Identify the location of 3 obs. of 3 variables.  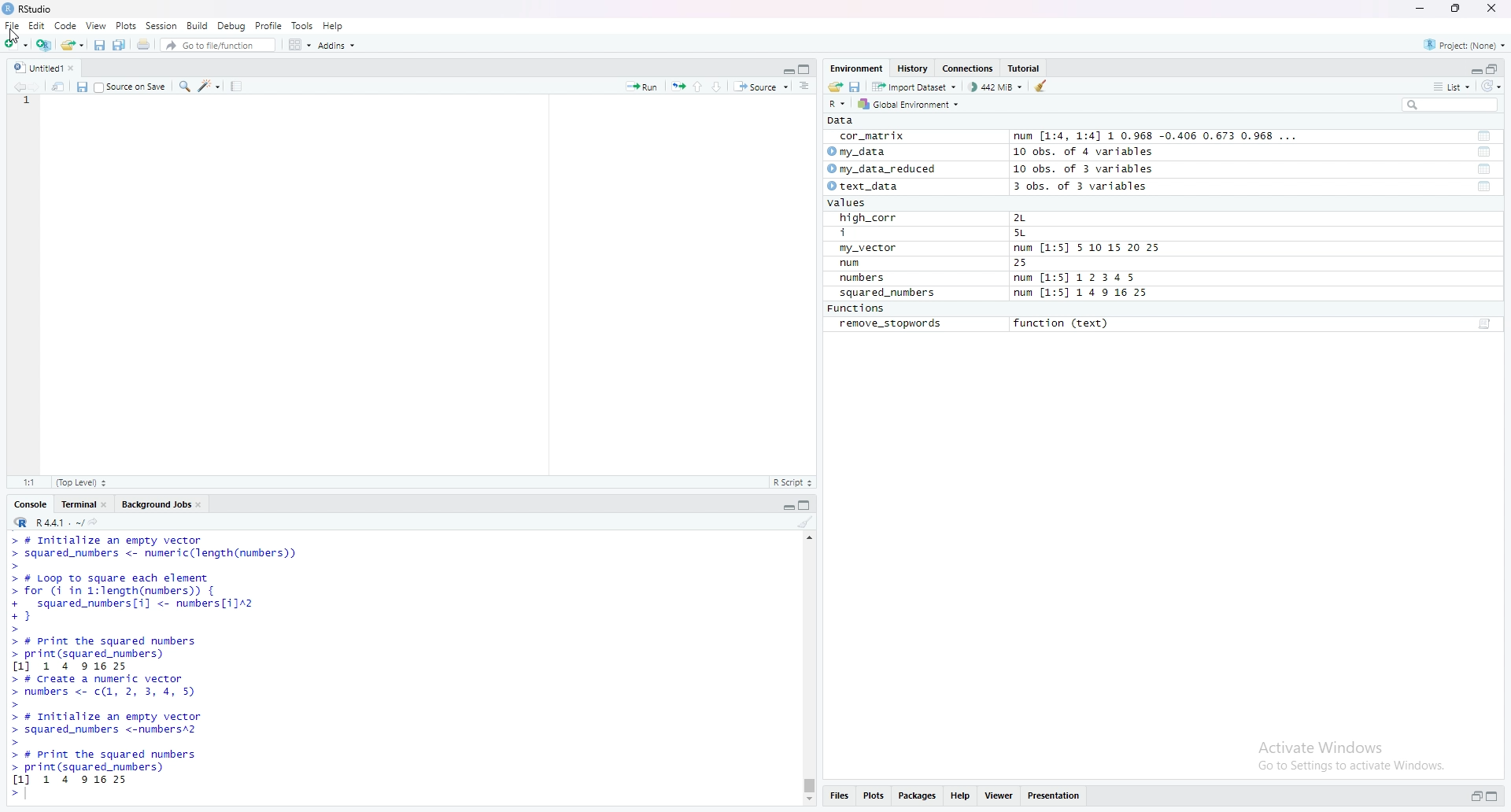
(1095, 186).